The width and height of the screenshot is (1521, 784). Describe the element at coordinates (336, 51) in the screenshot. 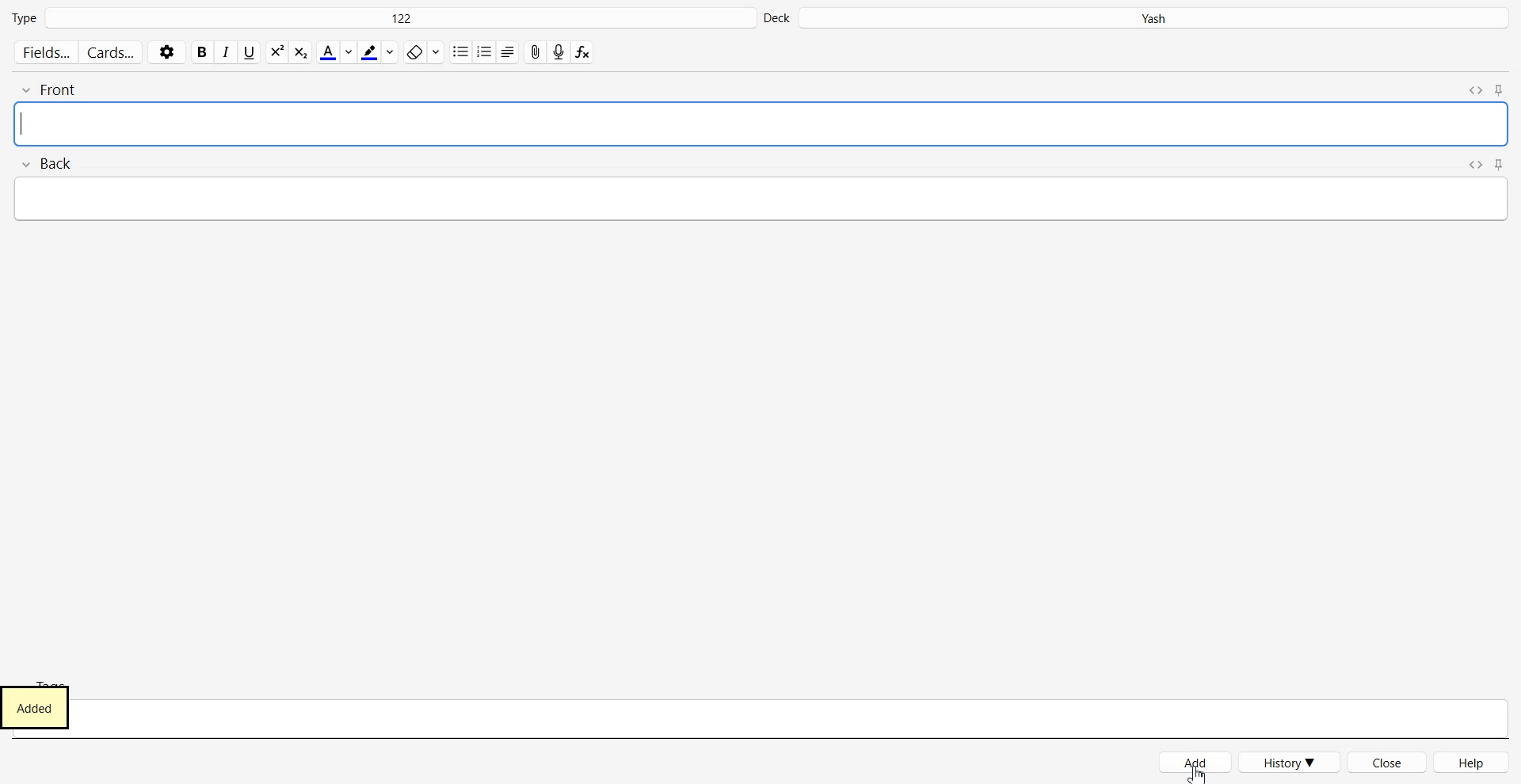

I see `Text color` at that location.